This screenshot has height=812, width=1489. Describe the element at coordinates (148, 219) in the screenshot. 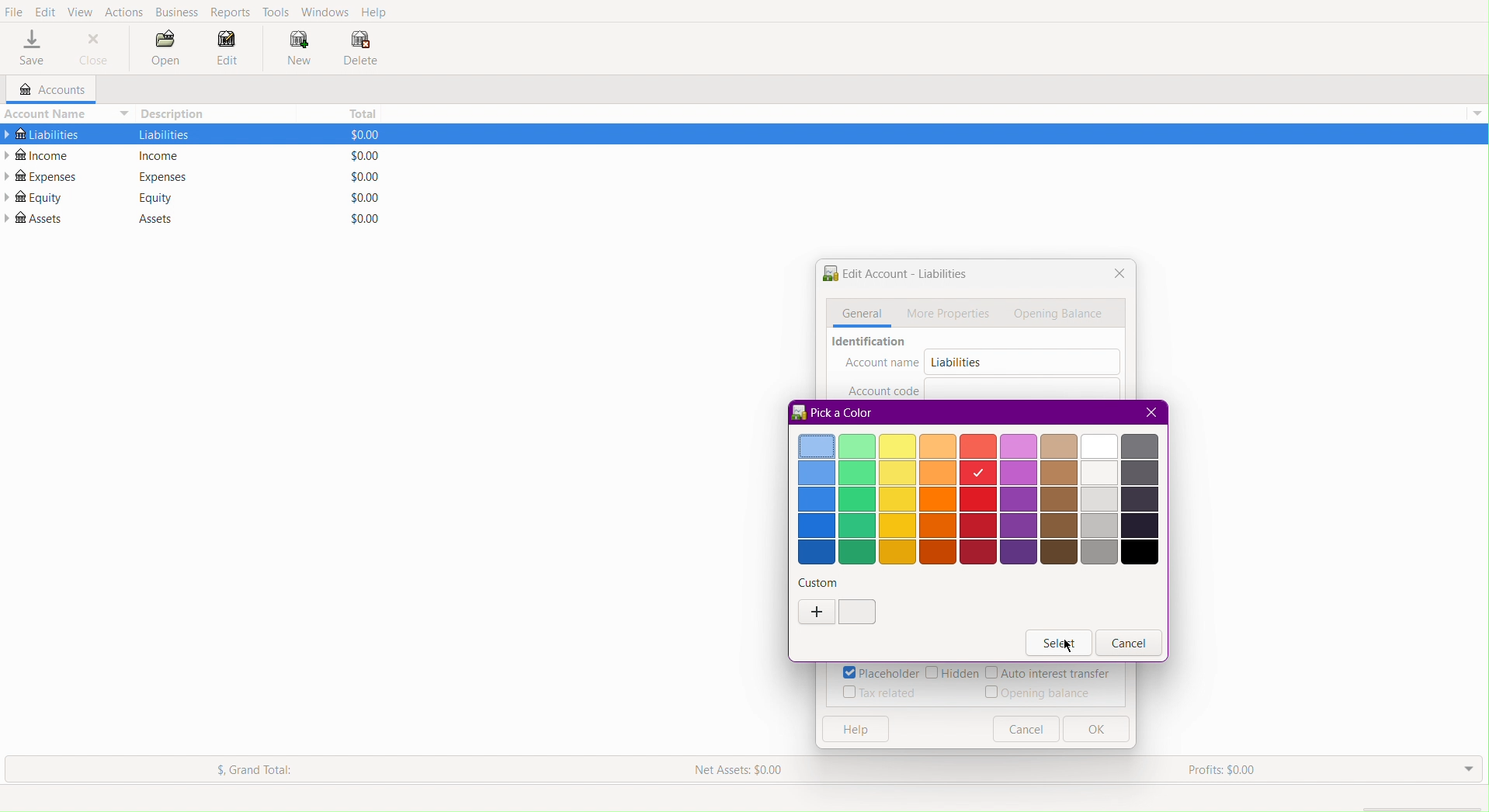

I see `Assets` at that location.